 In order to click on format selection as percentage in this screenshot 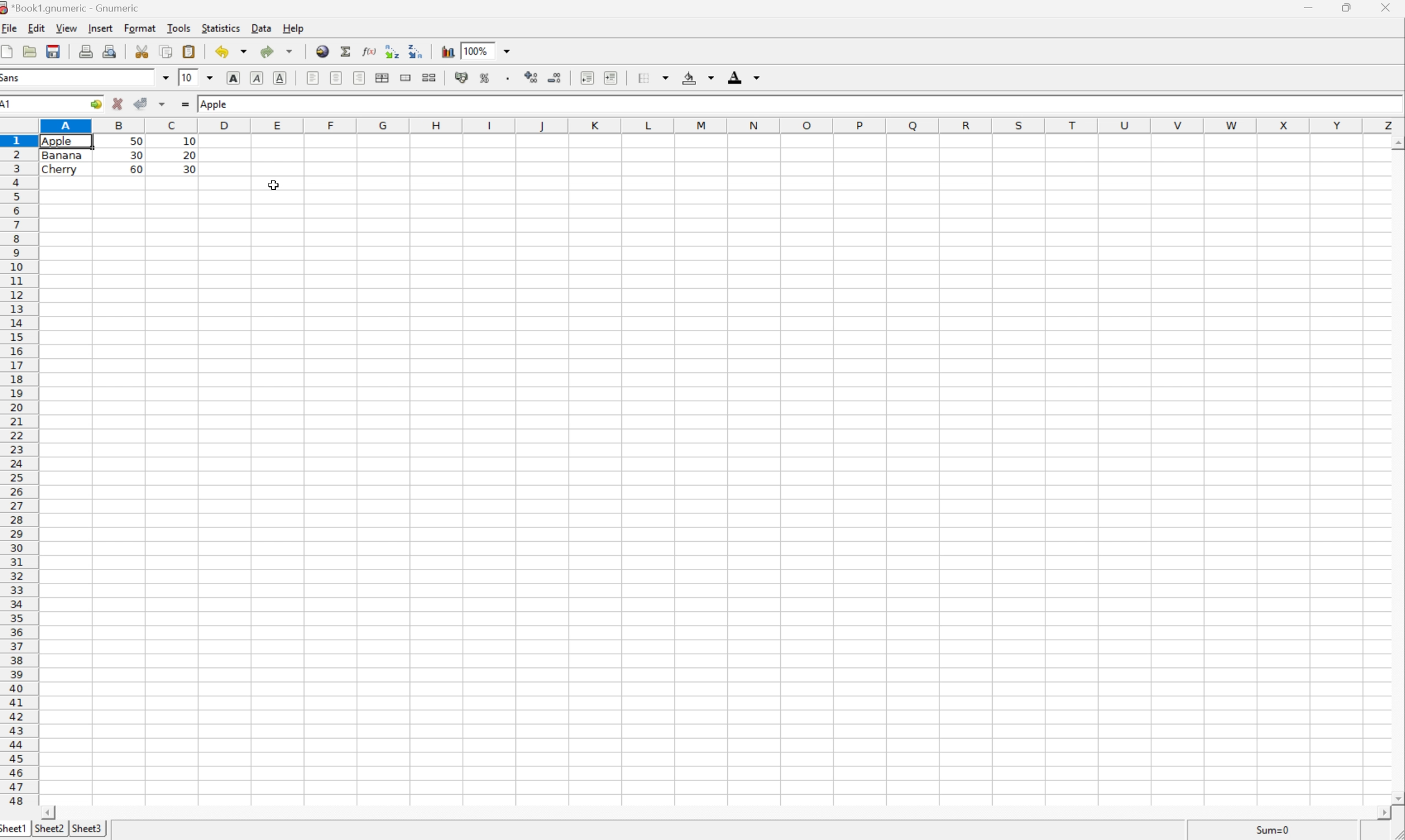, I will do `click(488, 79)`.